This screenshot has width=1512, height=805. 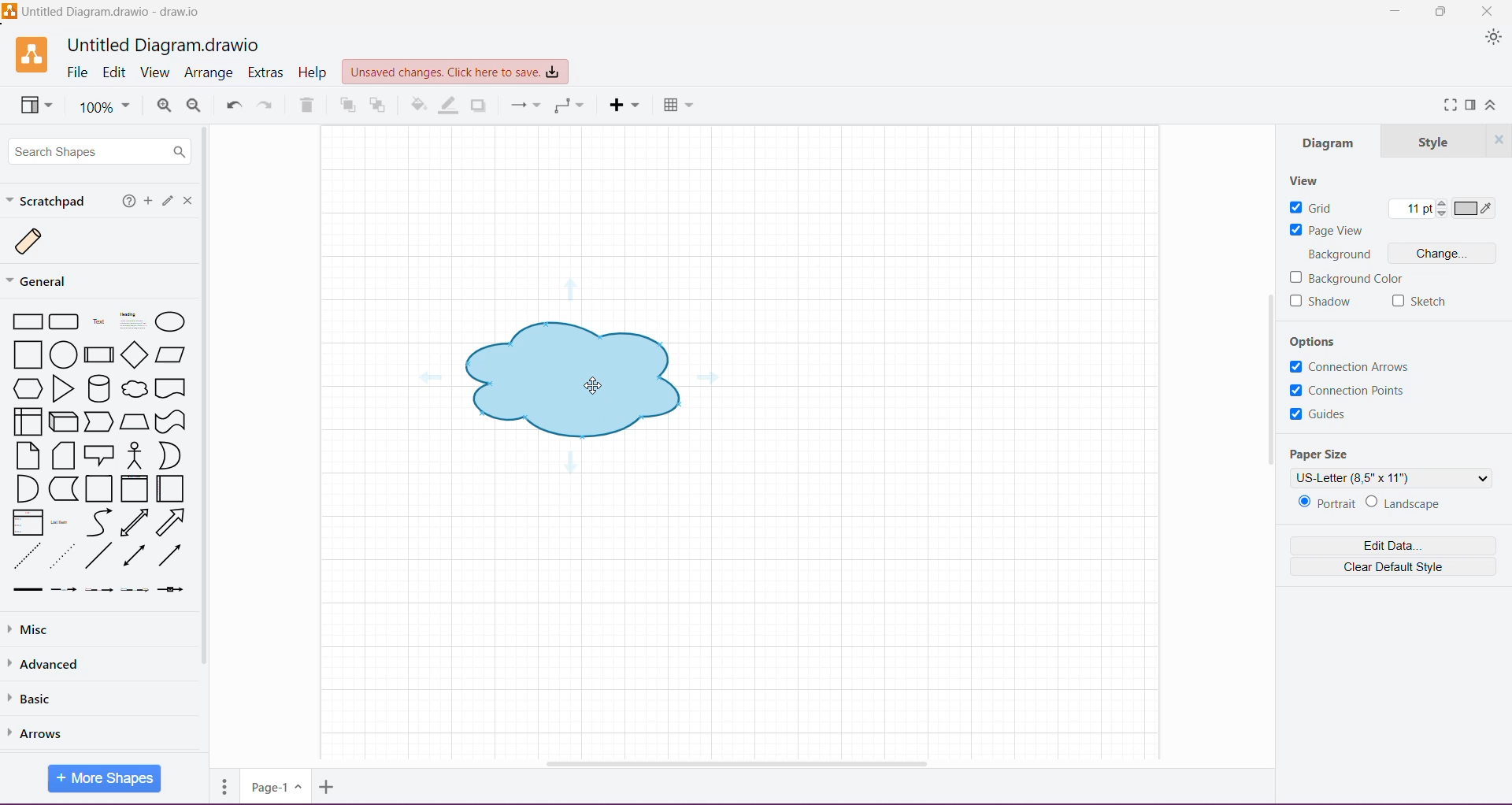 What do you see at coordinates (149, 201) in the screenshot?
I see `Add` at bounding box center [149, 201].